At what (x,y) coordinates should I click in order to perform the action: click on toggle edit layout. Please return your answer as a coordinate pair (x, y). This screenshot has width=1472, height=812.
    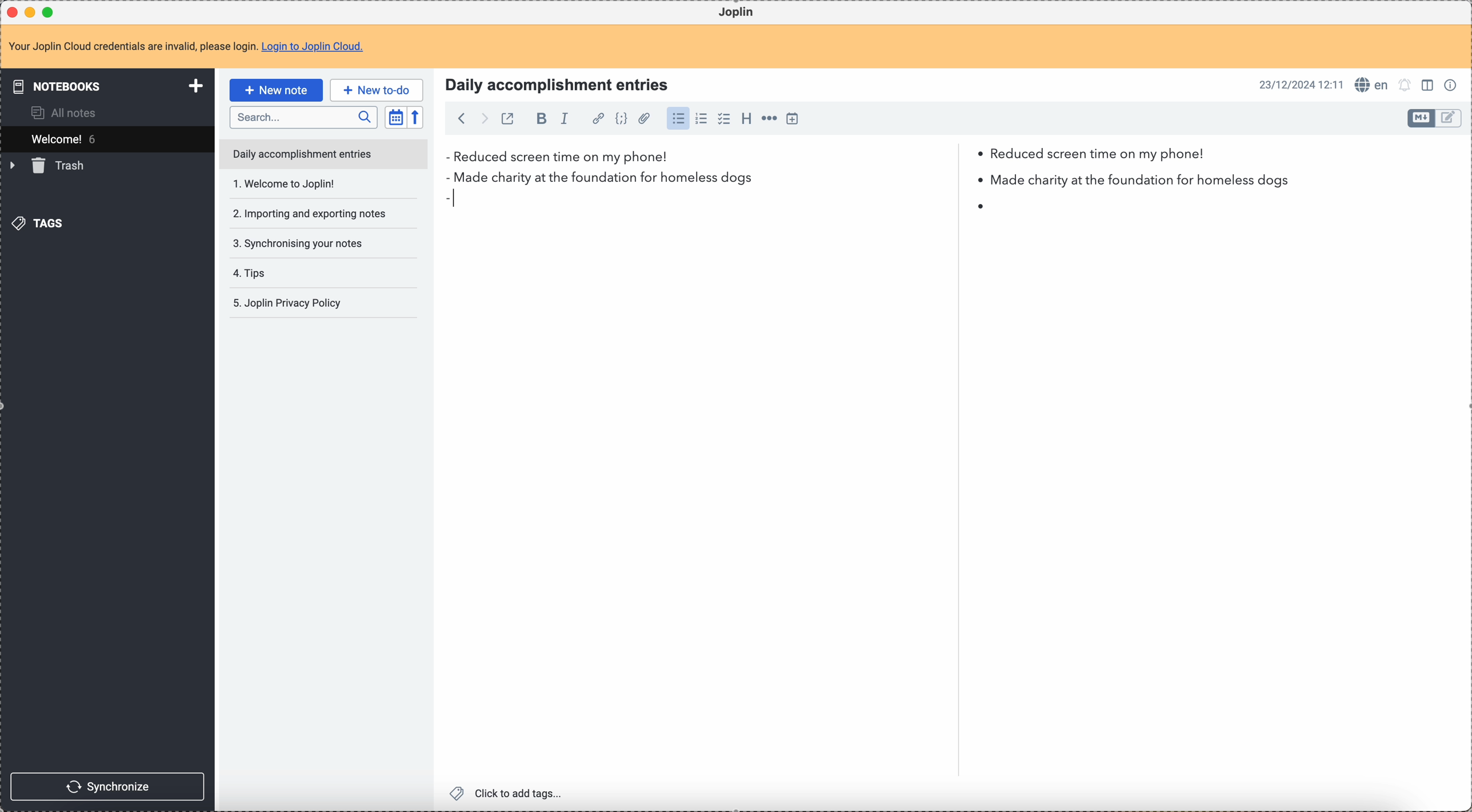
    Looking at the image, I should click on (1422, 118).